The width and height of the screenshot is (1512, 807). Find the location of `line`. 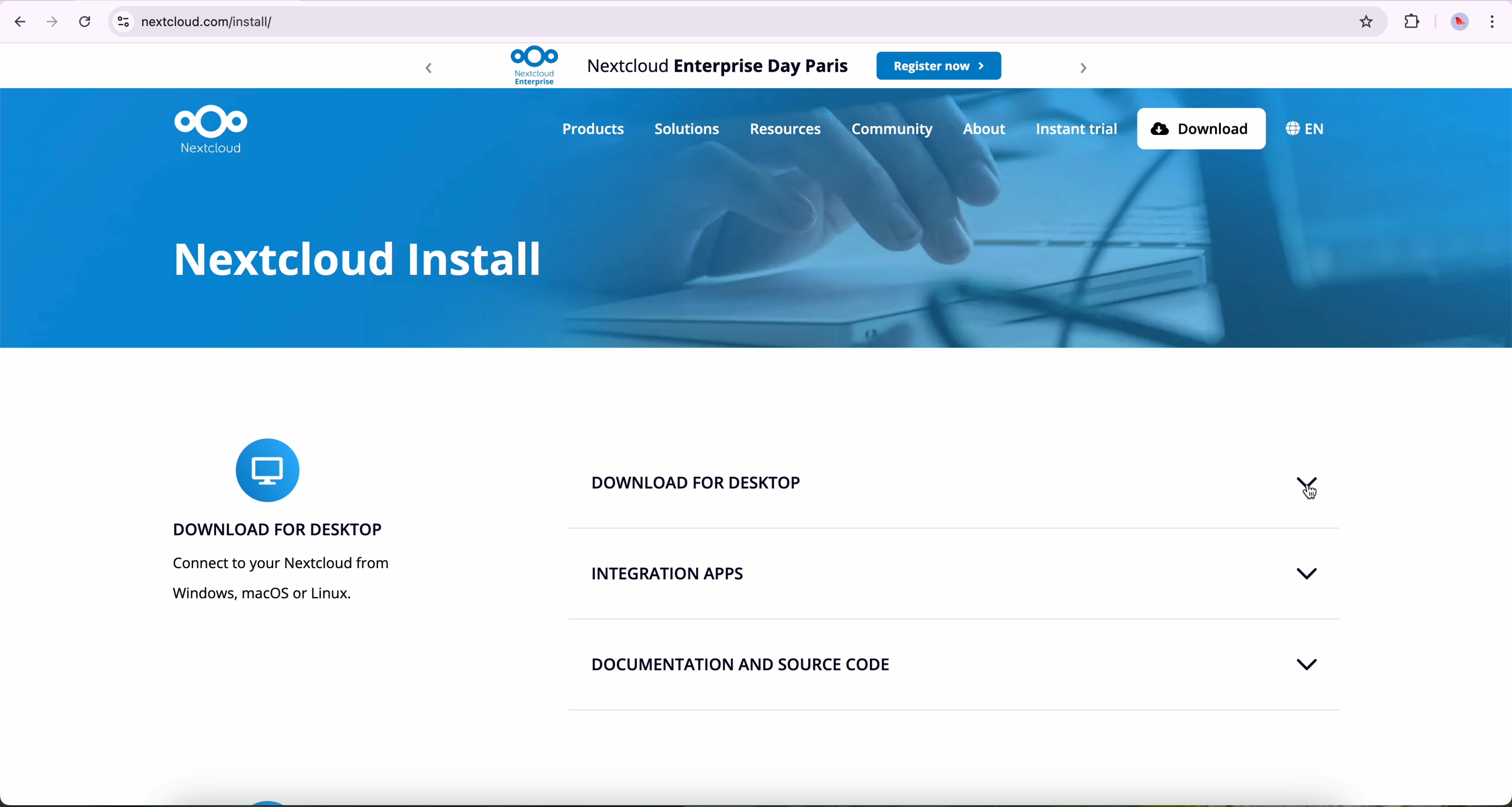

line is located at coordinates (956, 710).